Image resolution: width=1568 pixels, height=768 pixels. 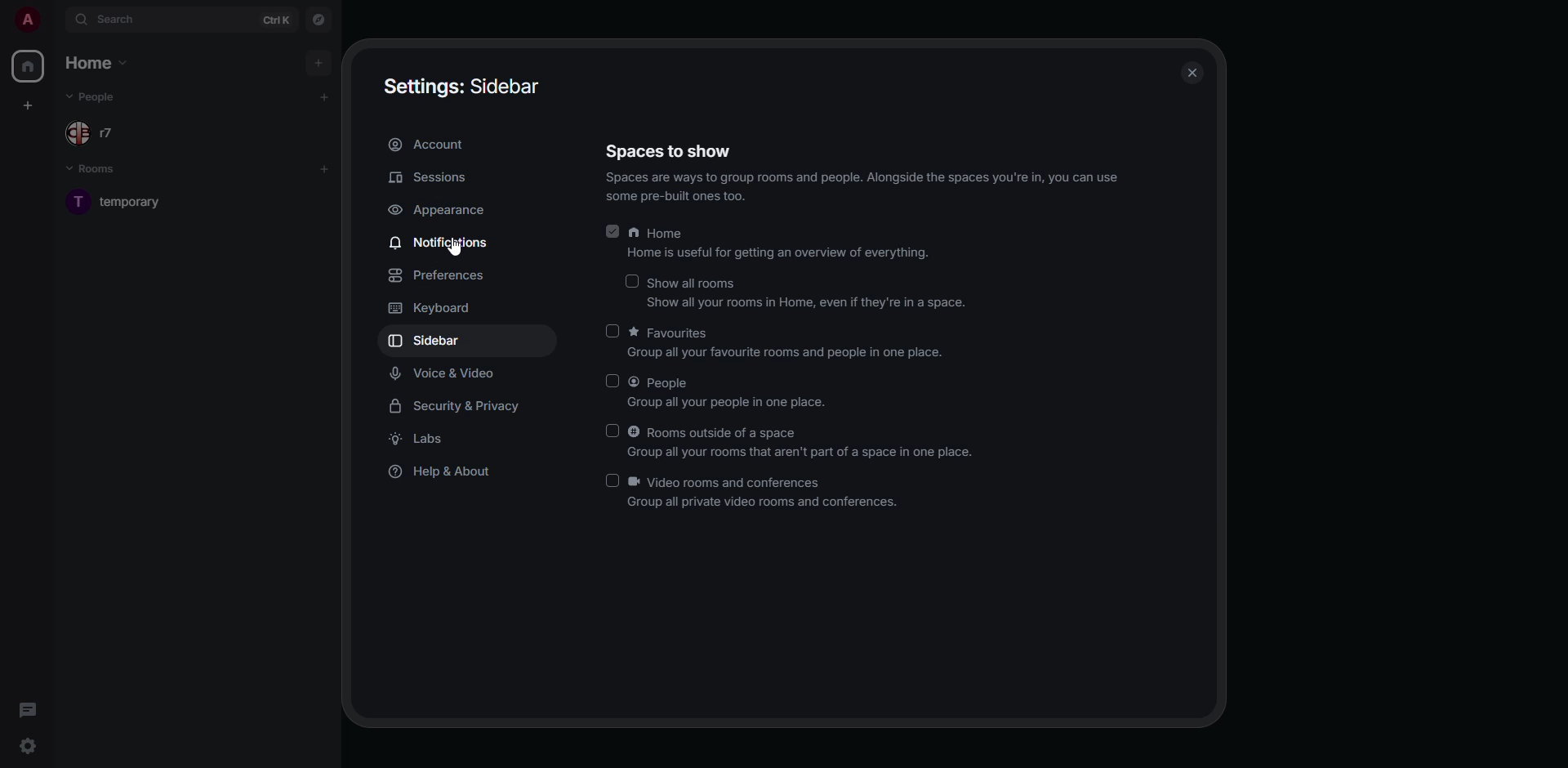 What do you see at coordinates (133, 205) in the screenshot?
I see `room` at bounding box center [133, 205].